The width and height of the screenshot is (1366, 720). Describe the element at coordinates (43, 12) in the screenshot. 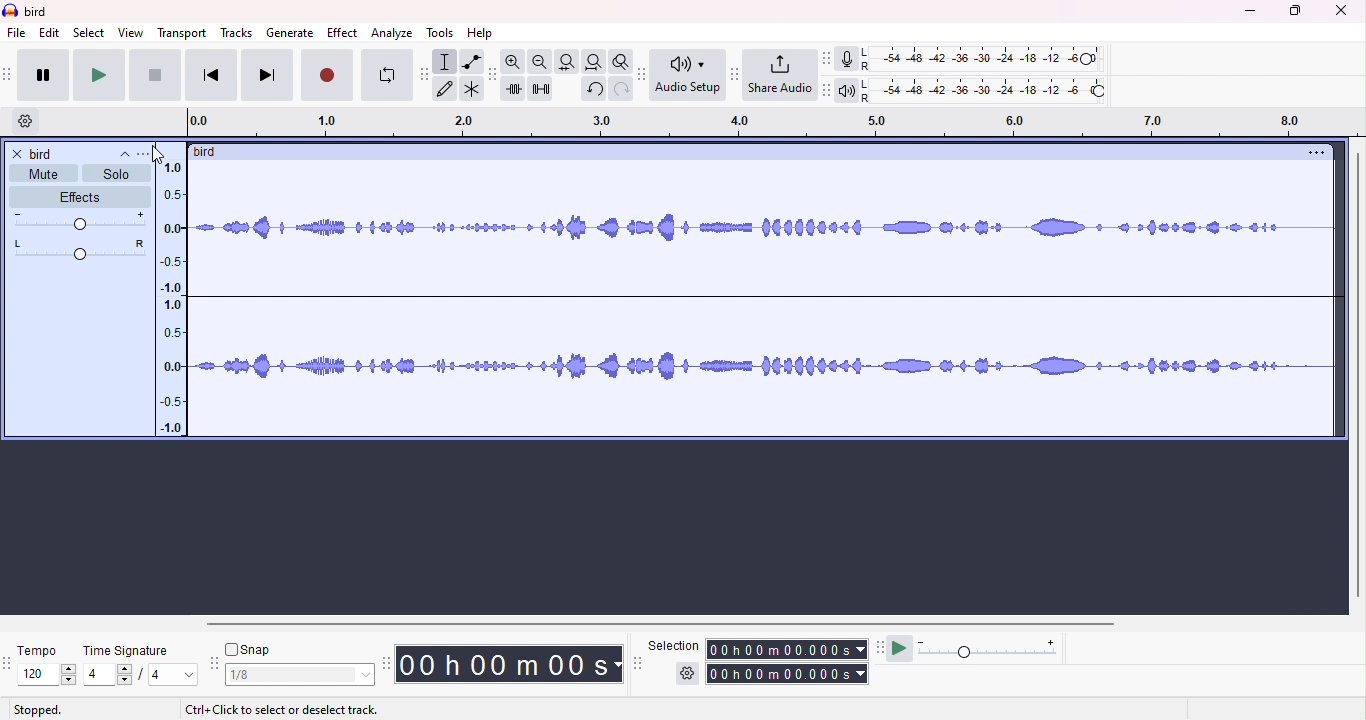

I see `title` at that location.